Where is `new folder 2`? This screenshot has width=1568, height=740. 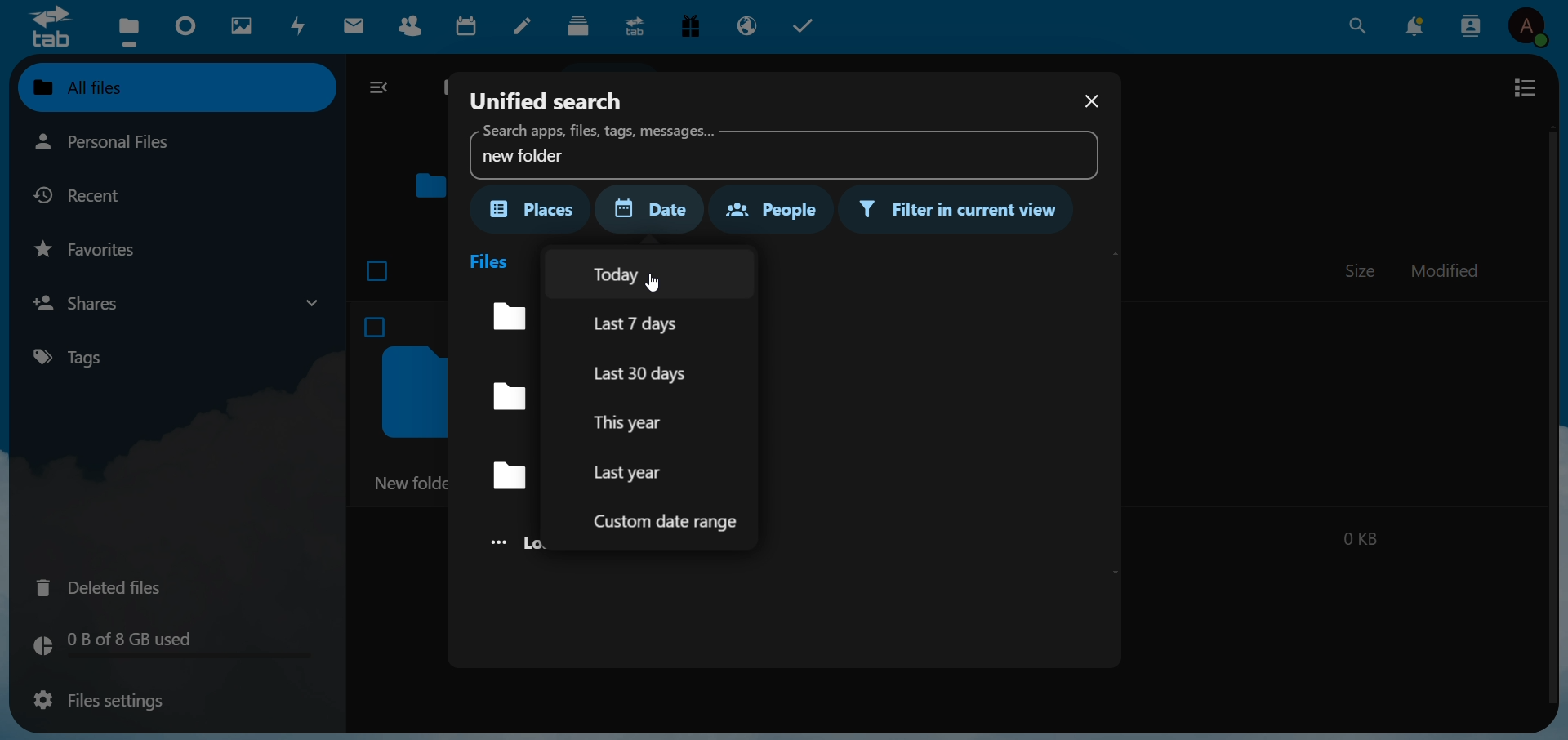 new folder 2 is located at coordinates (501, 315).